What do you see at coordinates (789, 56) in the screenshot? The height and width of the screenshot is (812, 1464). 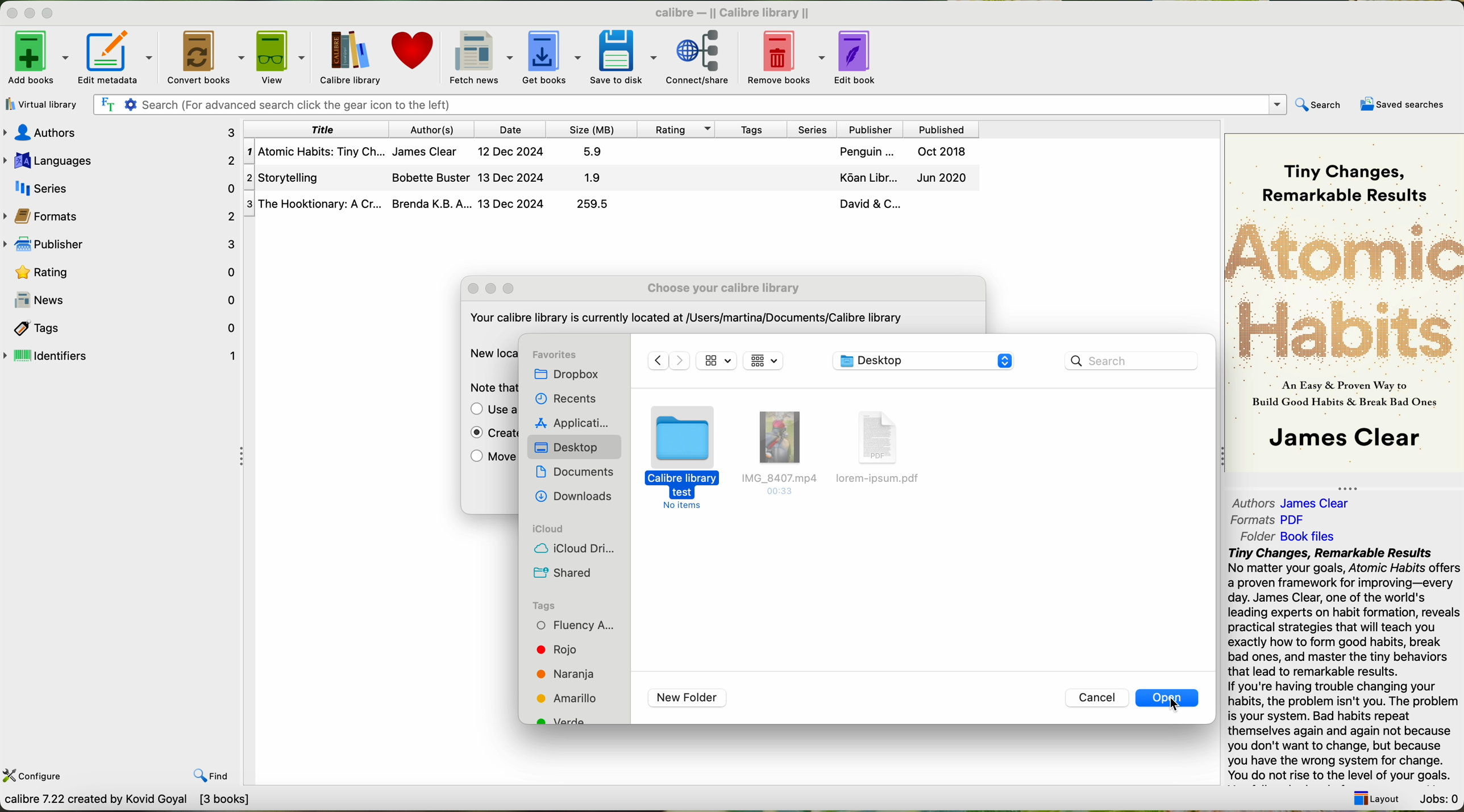 I see `remove books` at bounding box center [789, 56].